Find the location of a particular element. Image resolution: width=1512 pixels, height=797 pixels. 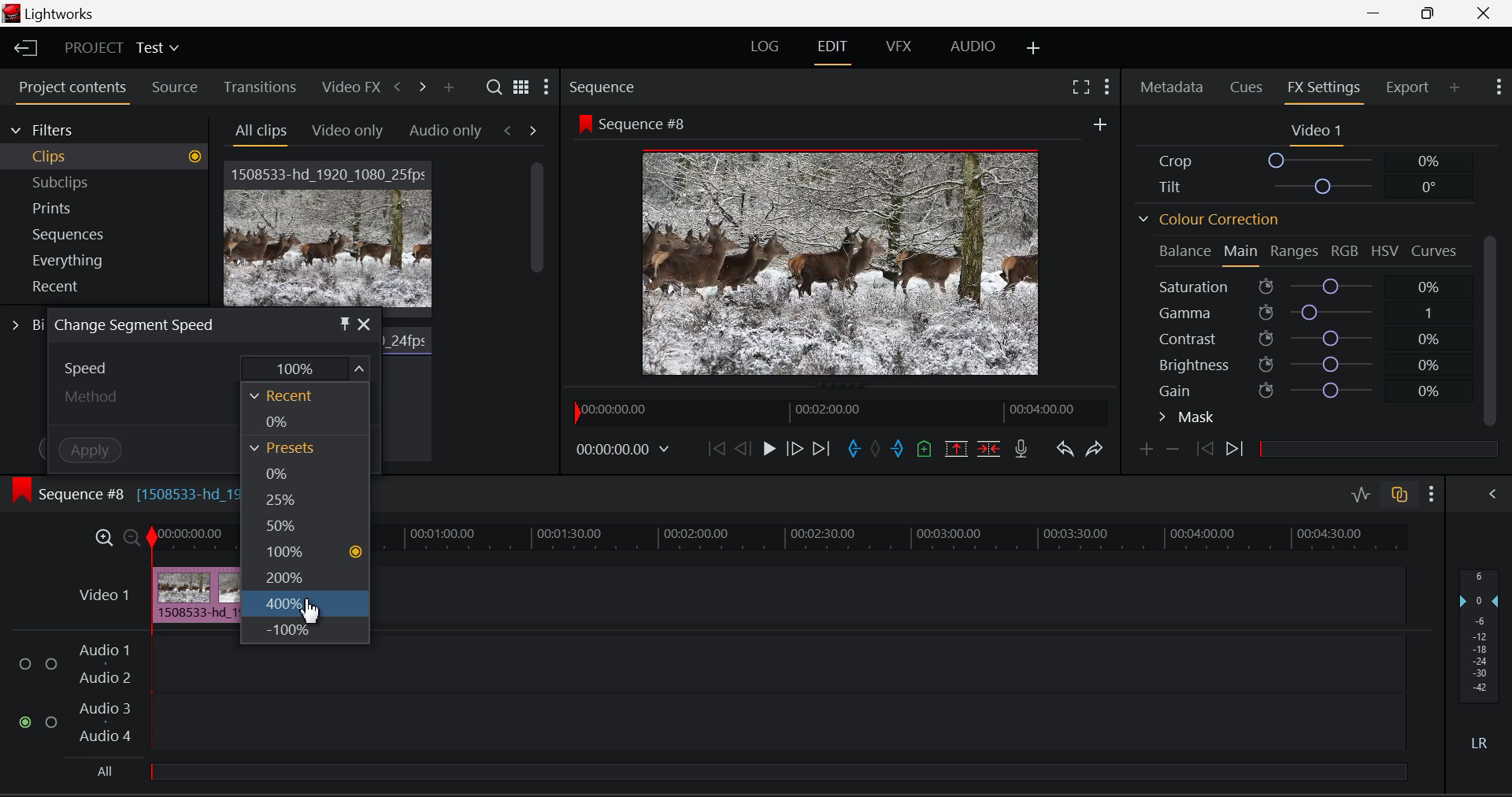

Left Round Sound Button is located at coordinates (1477, 743).